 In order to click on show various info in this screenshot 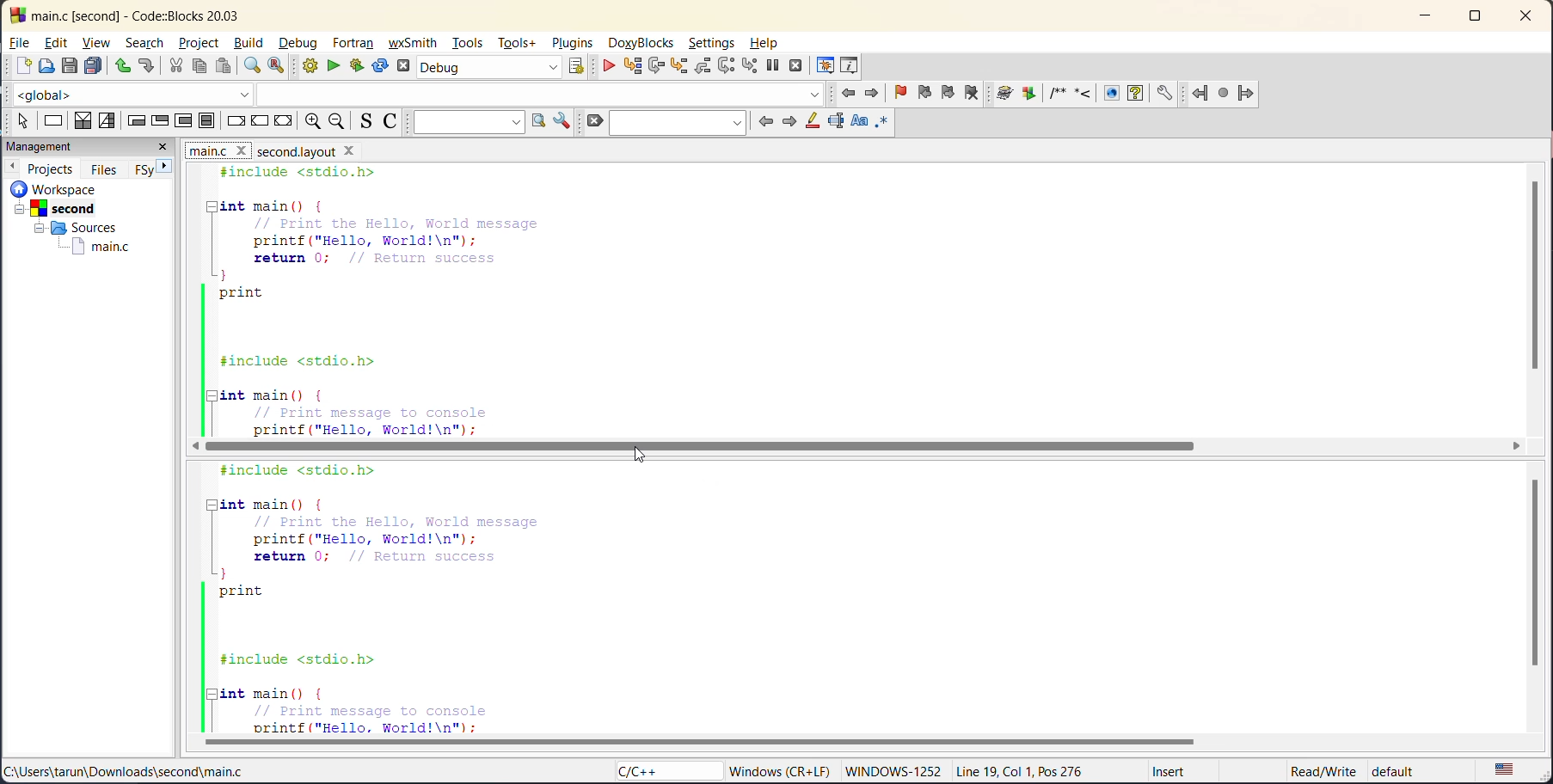, I will do `click(850, 64)`.